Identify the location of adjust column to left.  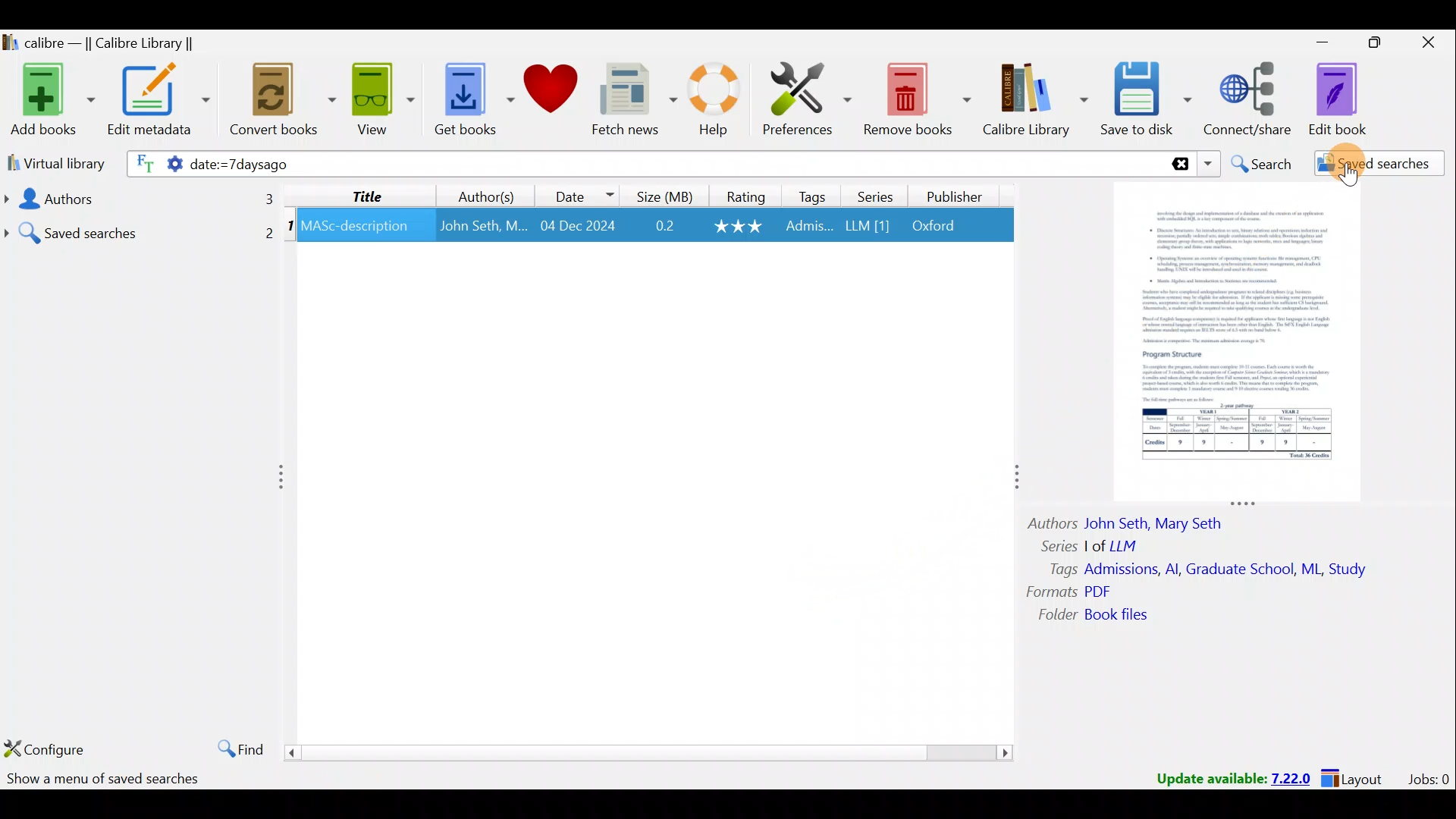
(282, 480).